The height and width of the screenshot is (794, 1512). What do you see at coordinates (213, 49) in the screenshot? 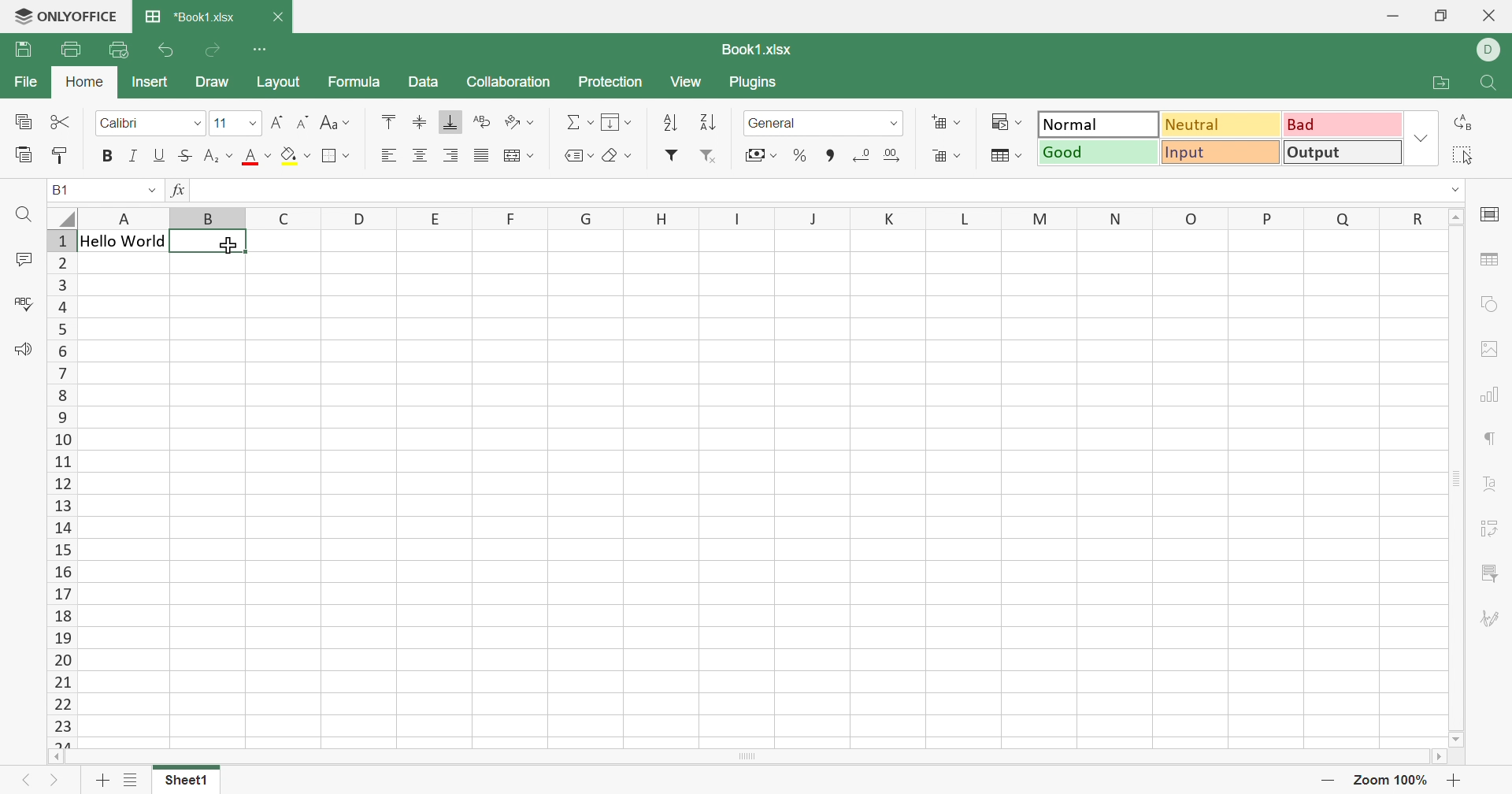
I see `Redo` at bounding box center [213, 49].